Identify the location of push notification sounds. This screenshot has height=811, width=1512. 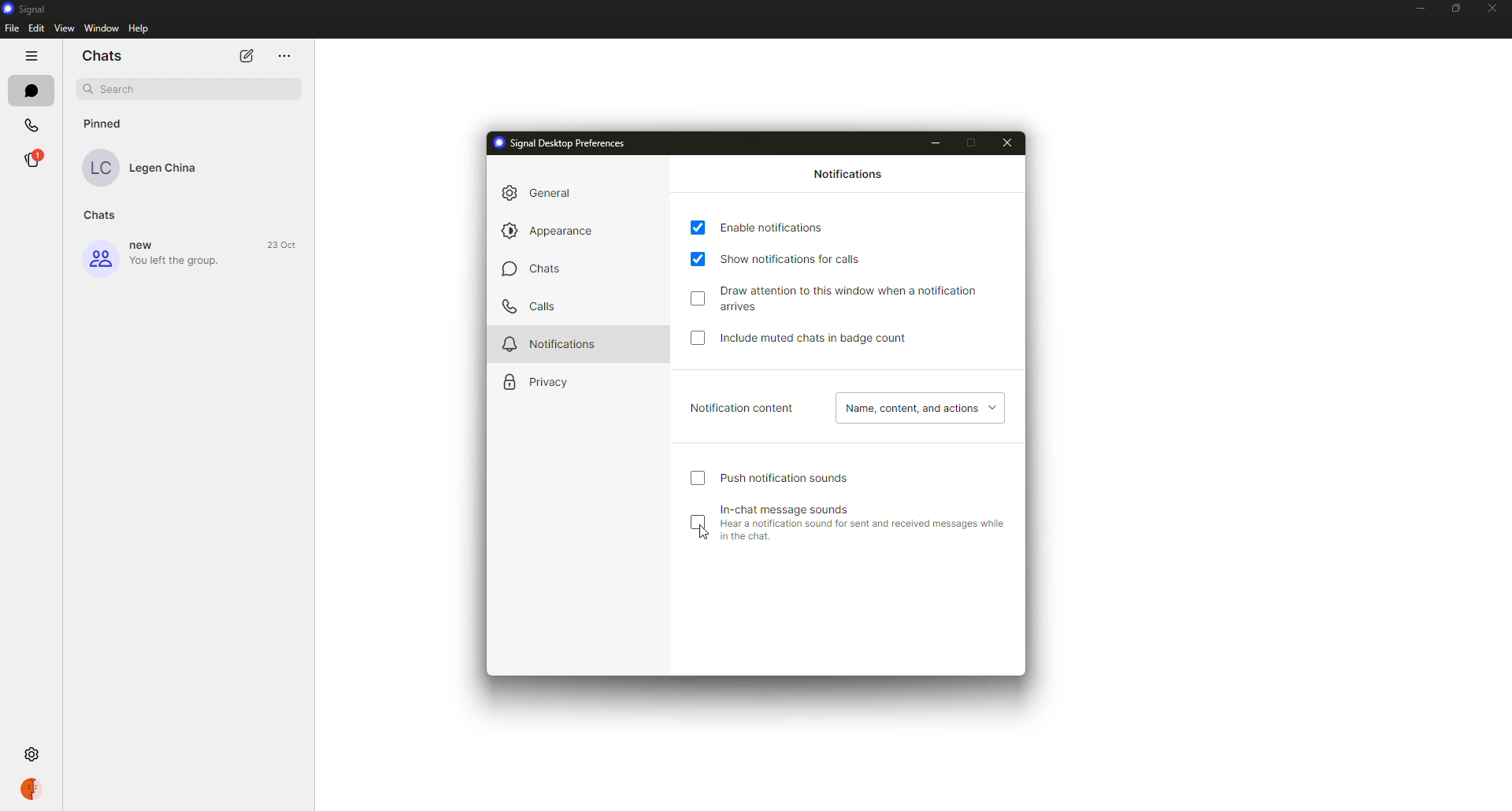
(783, 476).